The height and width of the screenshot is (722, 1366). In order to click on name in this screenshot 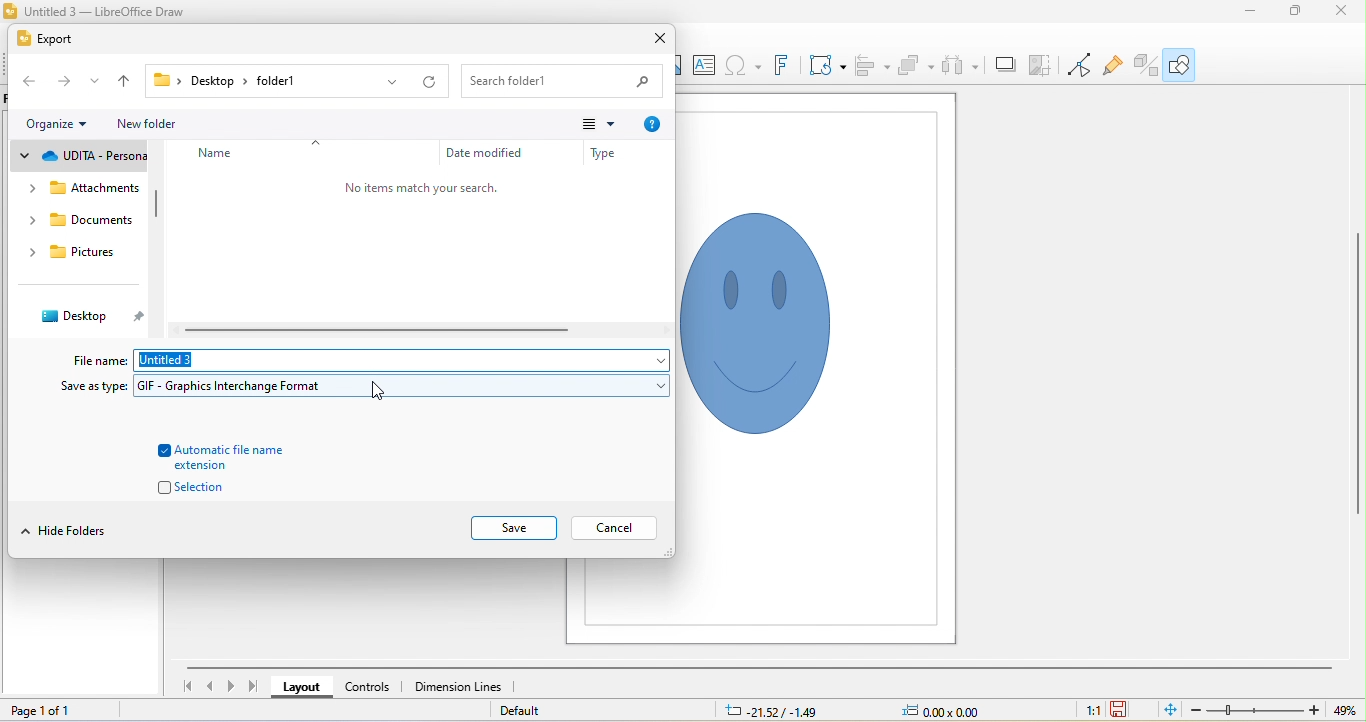, I will do `click(219, 156)`.